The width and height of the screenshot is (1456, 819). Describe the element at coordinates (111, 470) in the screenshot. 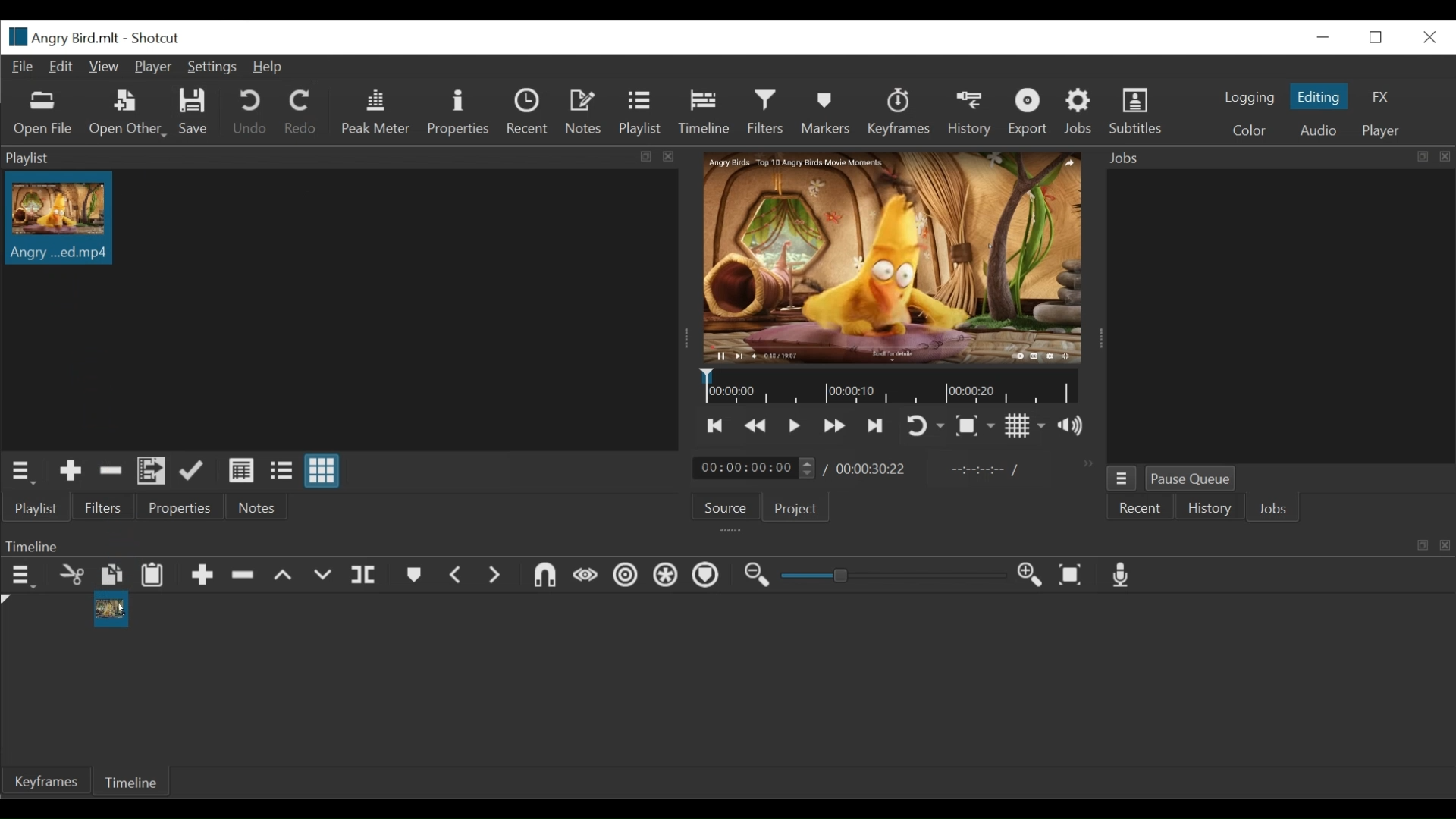

I see `Remove cut` at that location.